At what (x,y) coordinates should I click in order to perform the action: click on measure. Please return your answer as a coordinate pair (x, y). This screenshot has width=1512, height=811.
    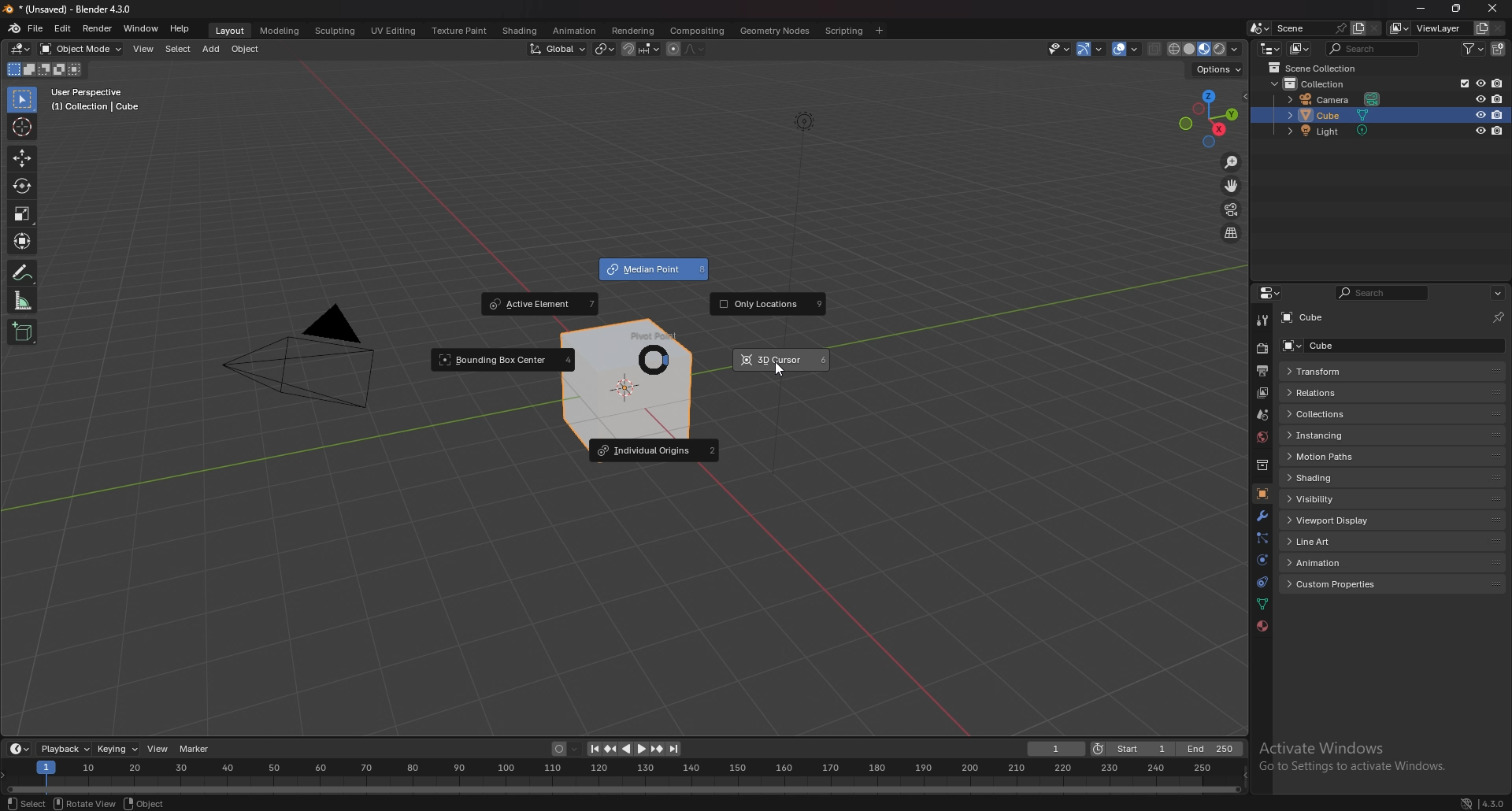
    Looking at the image, I should click on (23, 300).